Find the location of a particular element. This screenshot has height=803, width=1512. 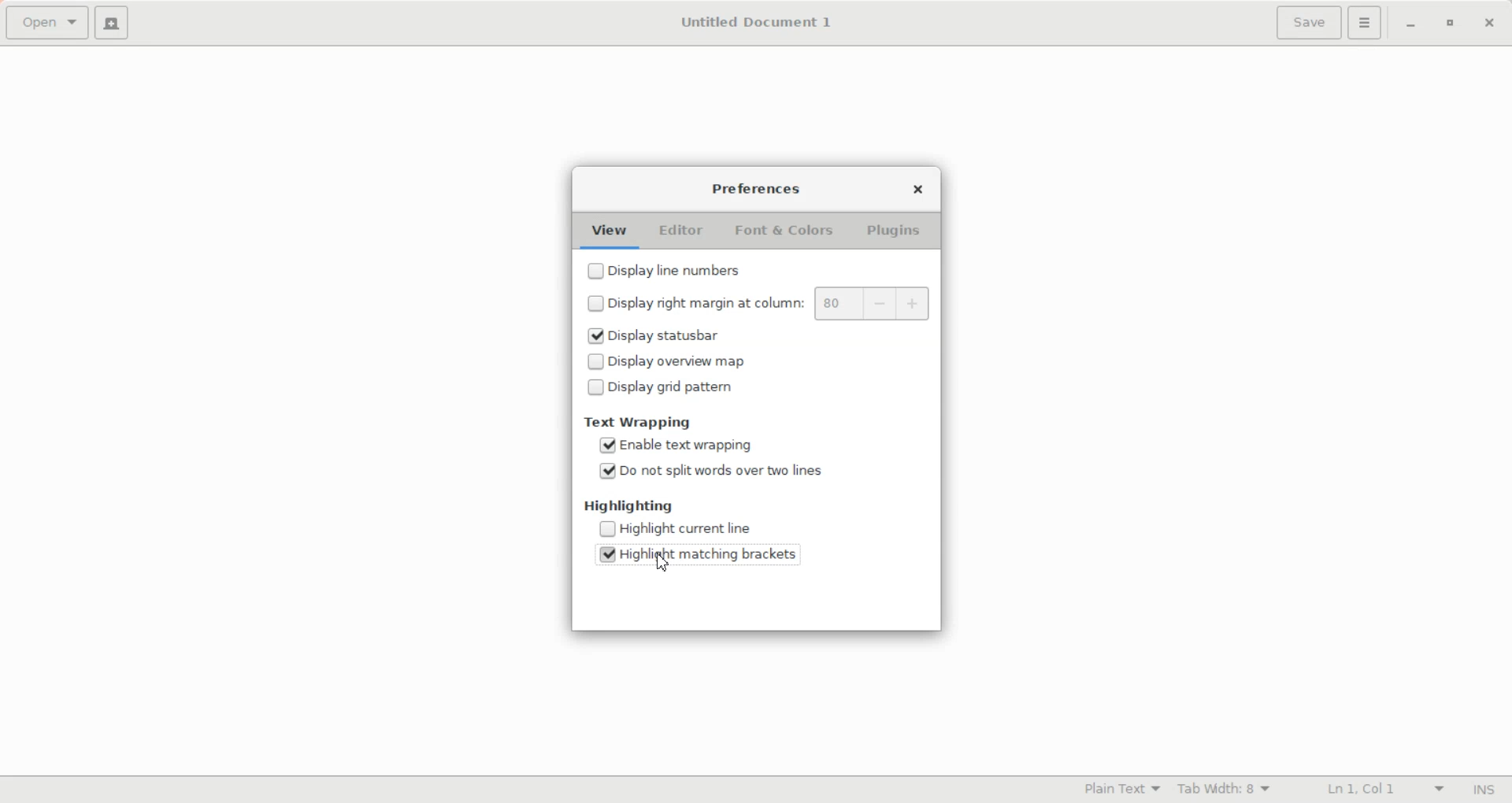

Plugins is located at coordinates (891, 231).